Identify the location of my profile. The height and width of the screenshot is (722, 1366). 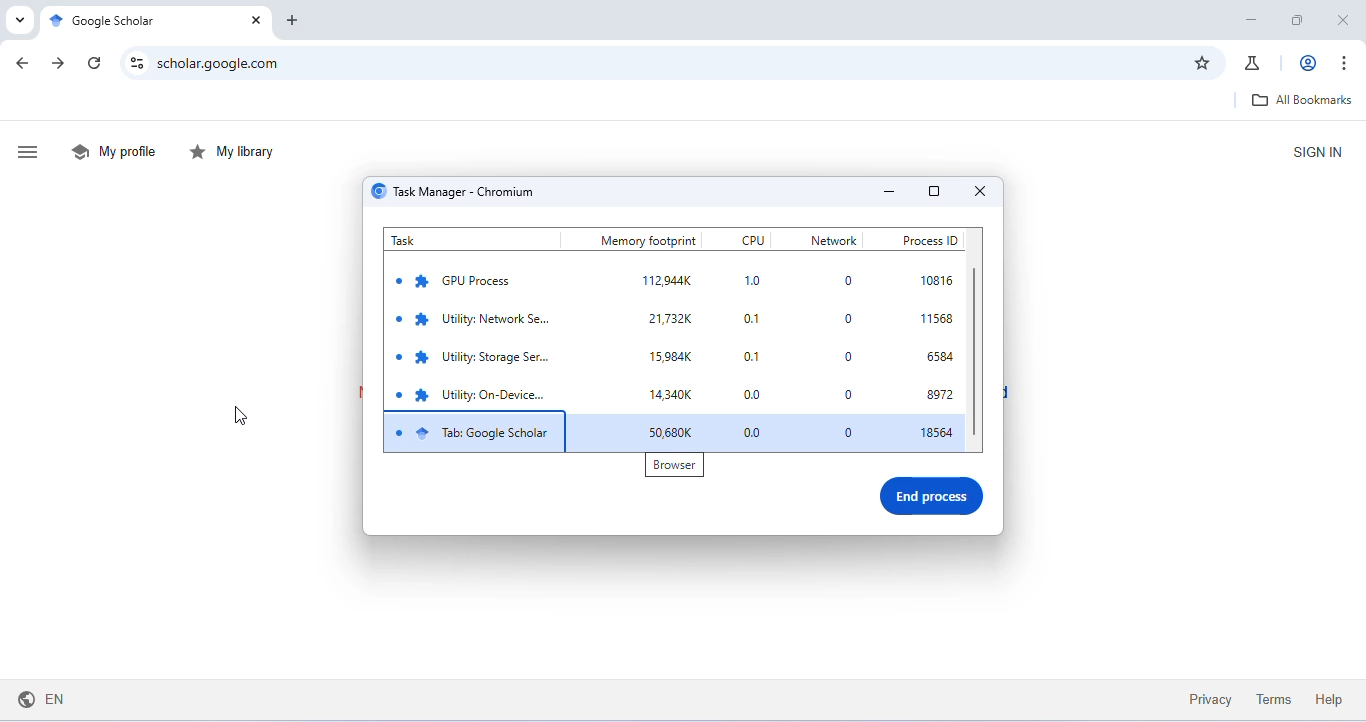
(117, 150).